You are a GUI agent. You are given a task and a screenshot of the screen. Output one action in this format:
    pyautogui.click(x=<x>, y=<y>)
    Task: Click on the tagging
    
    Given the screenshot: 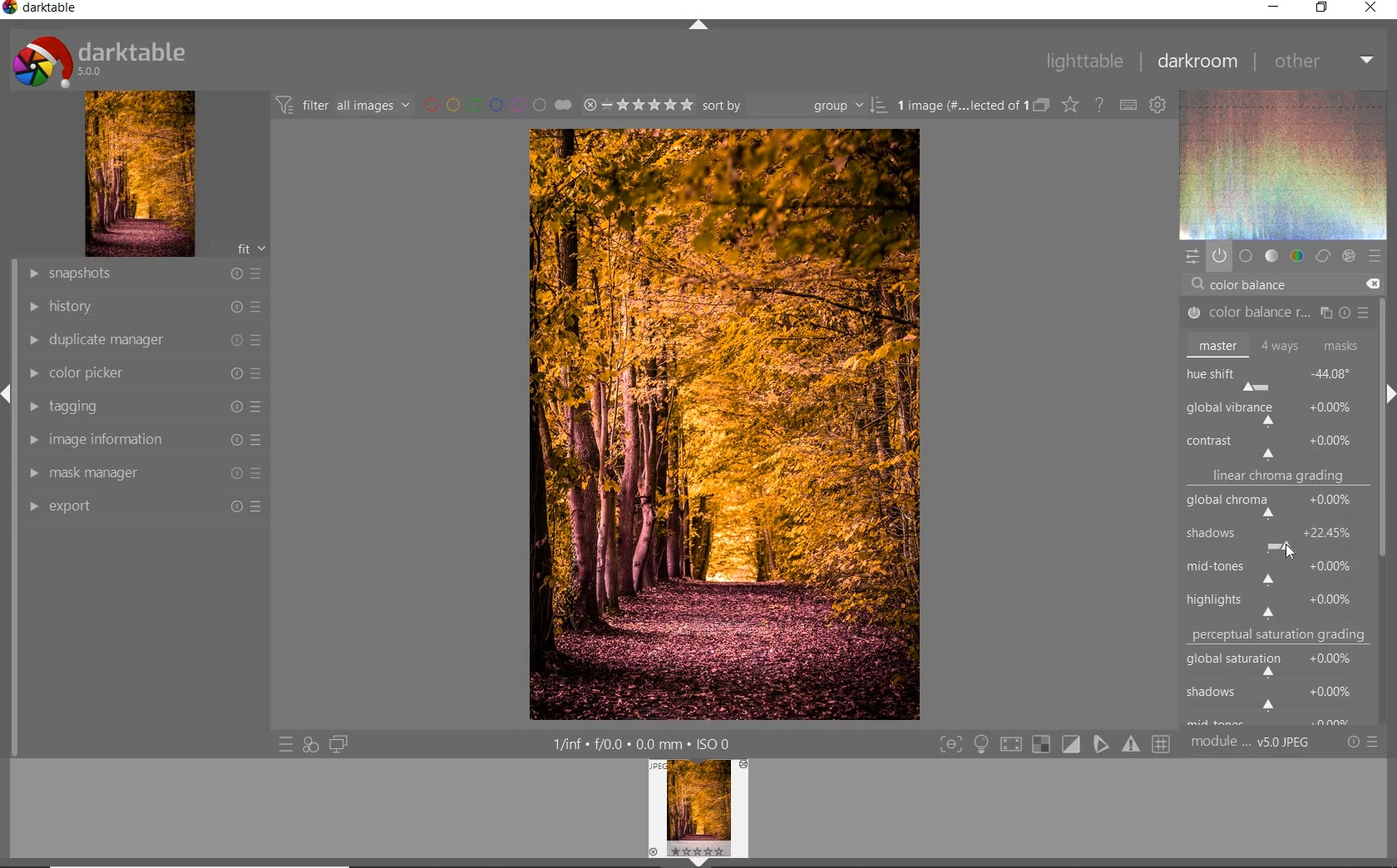 What is the action you would take?
    pyautogui.click(x=143, y=408)
    